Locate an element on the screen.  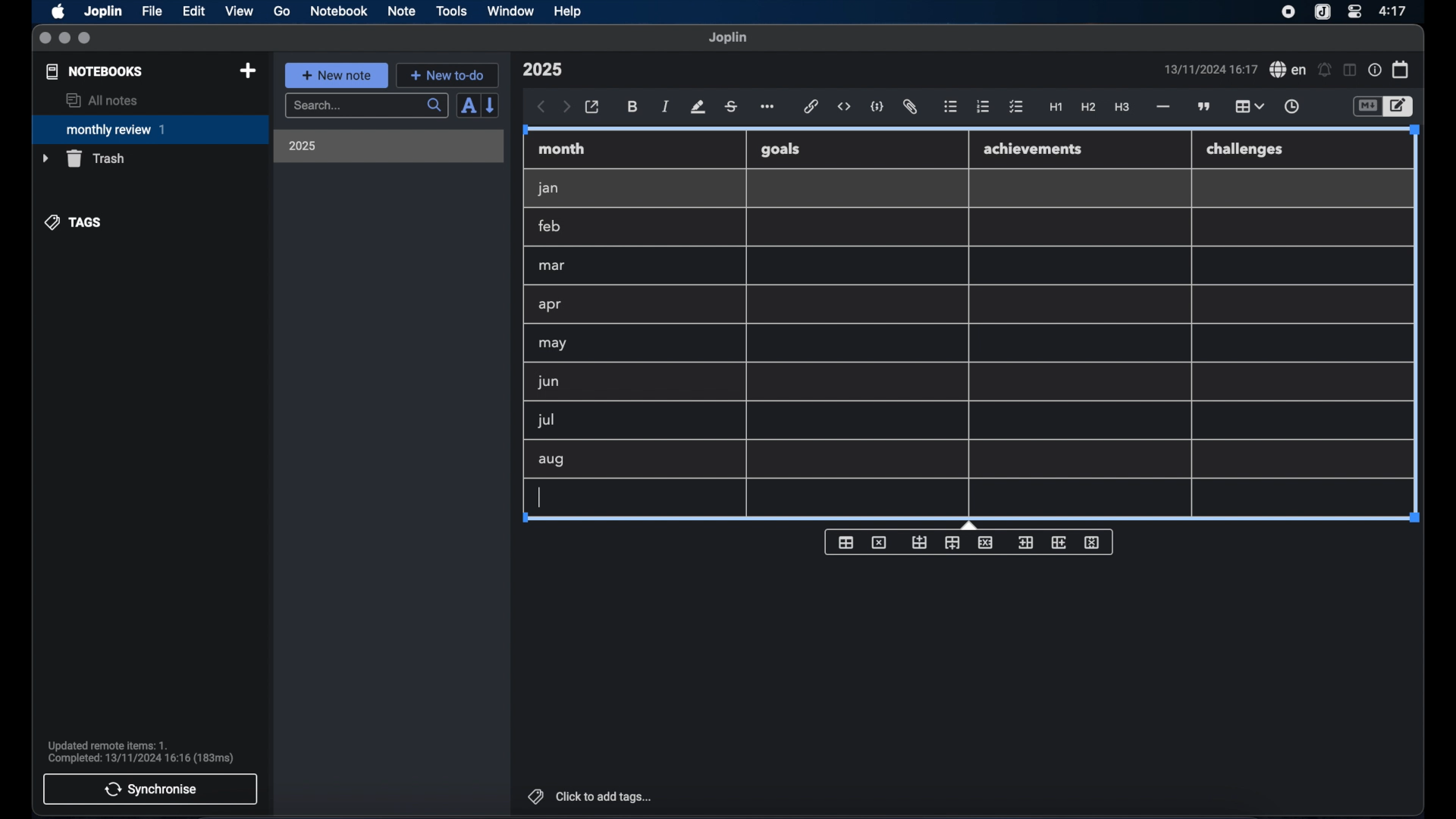
new note is located at coordinates (336, 75).